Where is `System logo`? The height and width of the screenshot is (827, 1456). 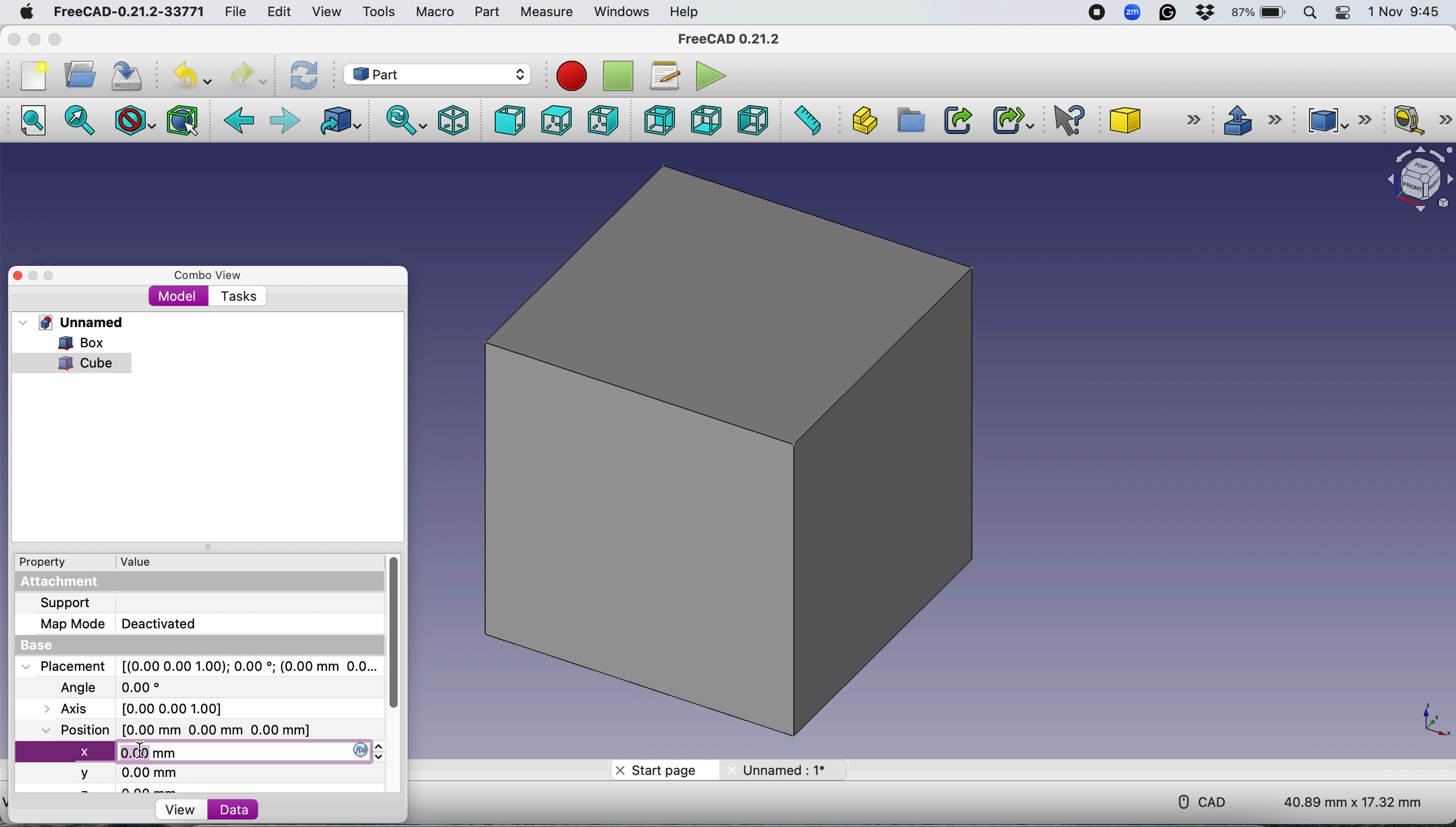
System logo is located at coordinates (25, 12).